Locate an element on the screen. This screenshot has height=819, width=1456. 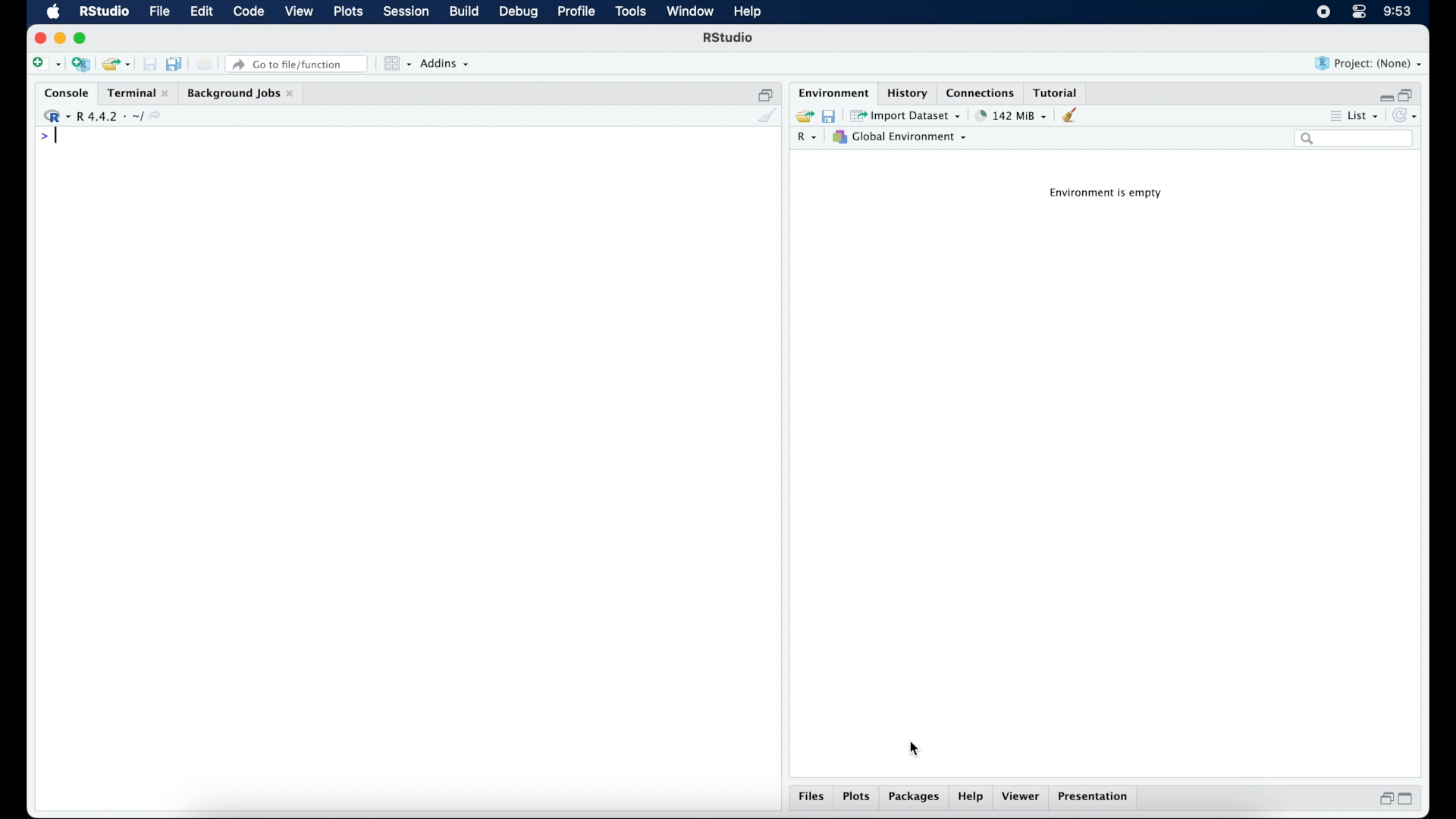
search bar is located at coordinates (1355, 140).